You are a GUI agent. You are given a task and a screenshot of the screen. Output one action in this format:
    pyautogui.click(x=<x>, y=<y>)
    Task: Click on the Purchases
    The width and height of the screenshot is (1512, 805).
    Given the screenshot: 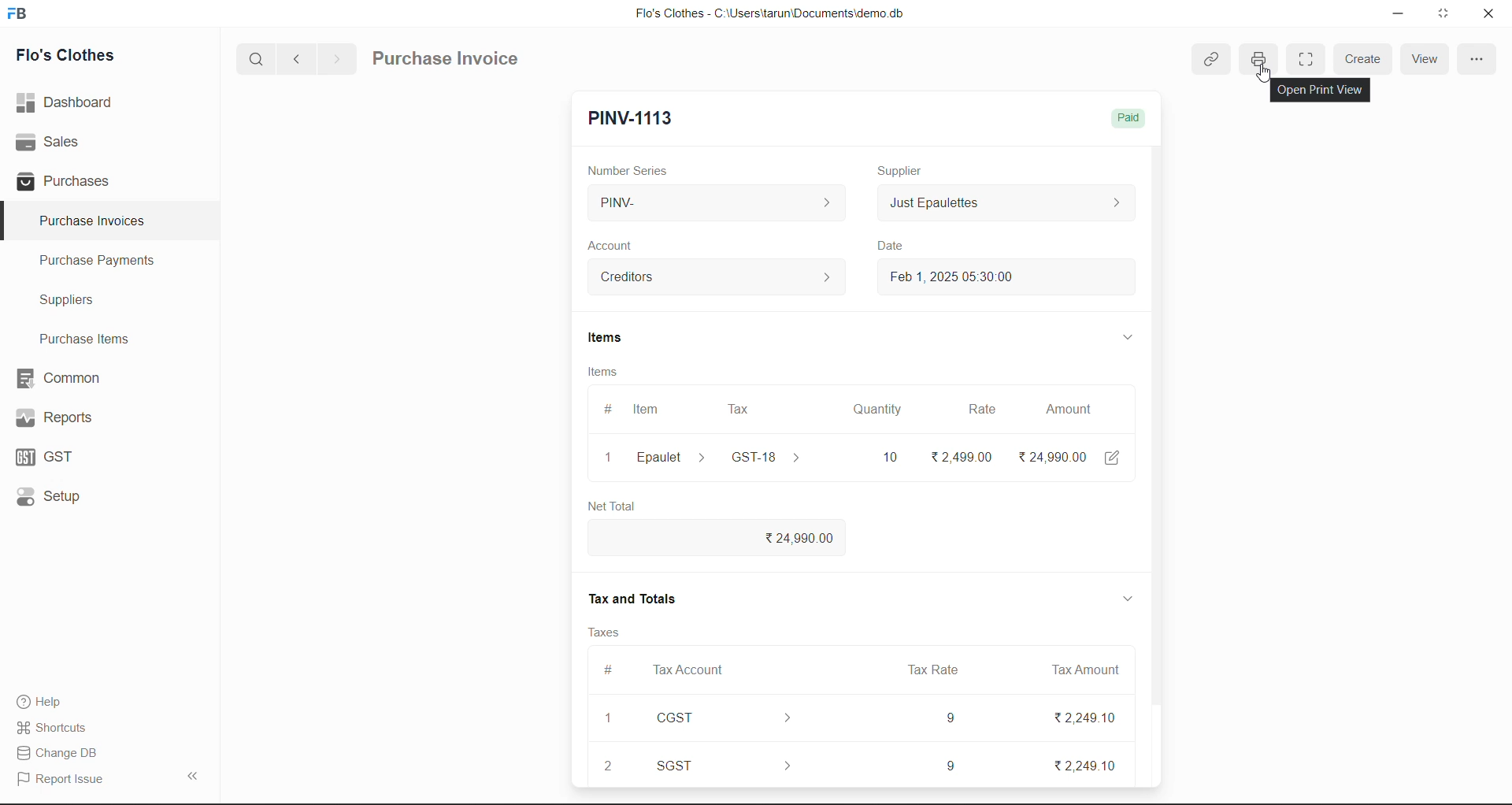 What is the action you would take?
    pyautogui.click(x=69, y=180)
    